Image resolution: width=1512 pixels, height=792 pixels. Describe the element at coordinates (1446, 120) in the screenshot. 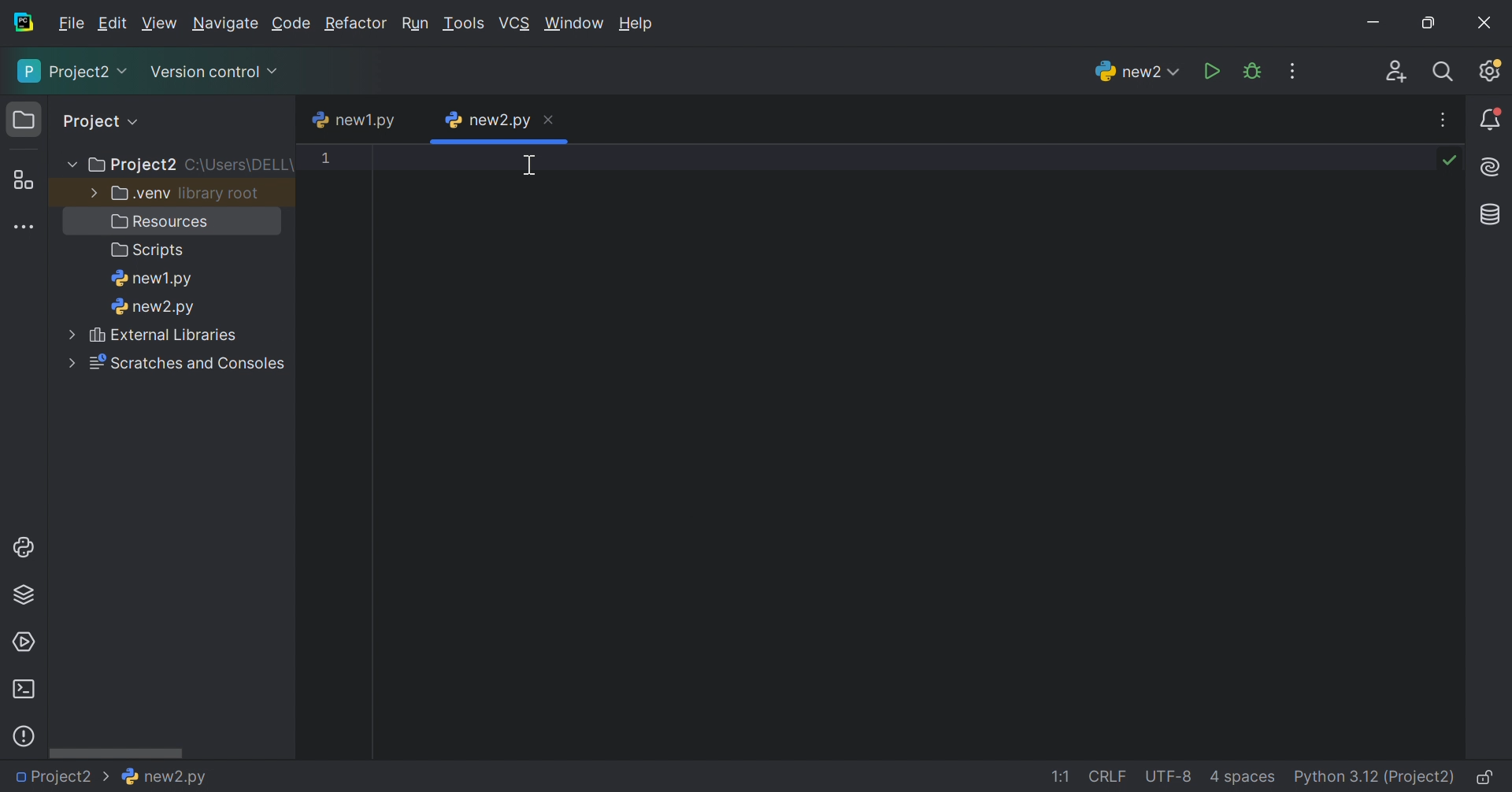

I see `More actions` at that location.